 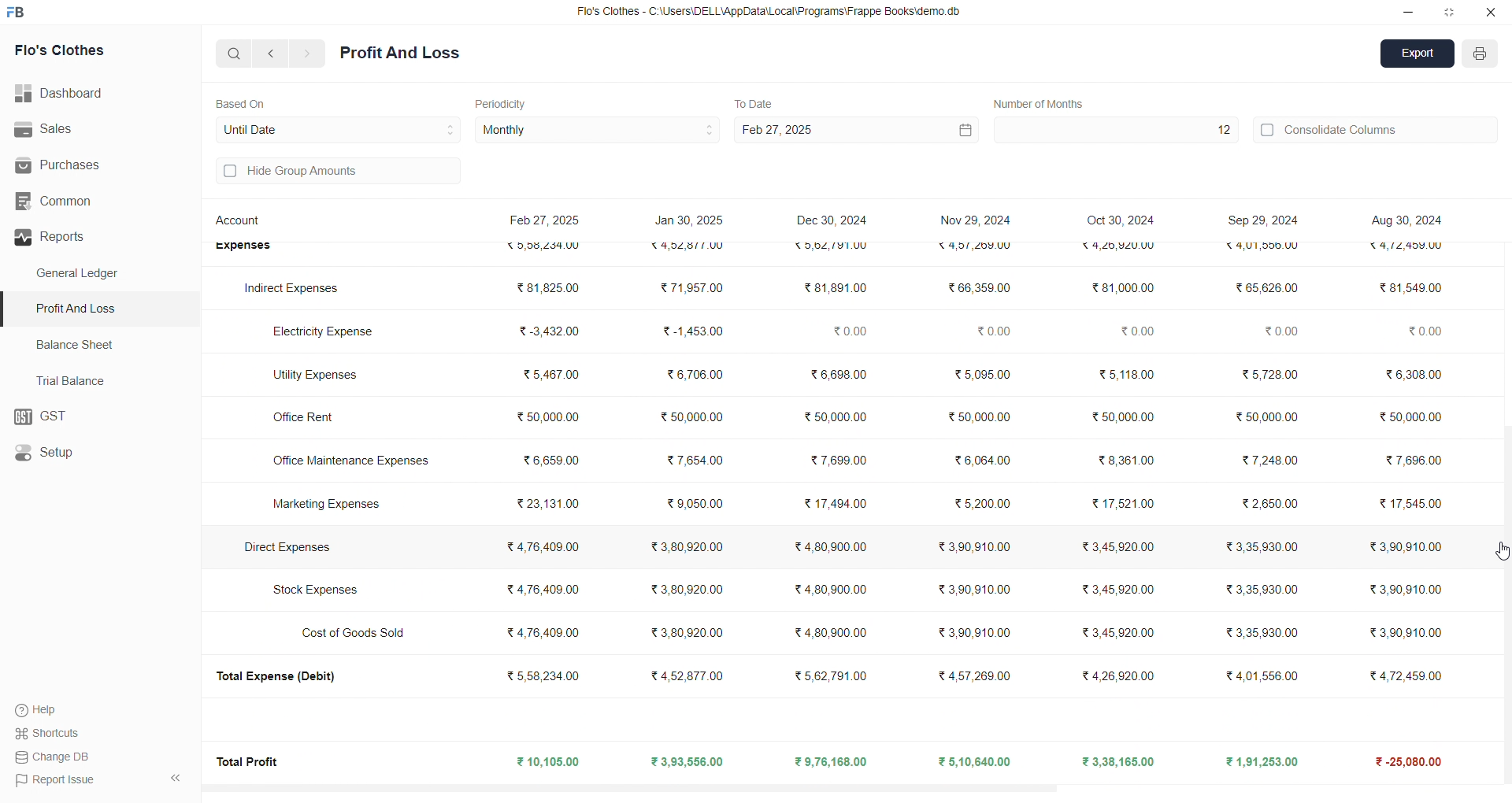 What do you see at coordinates (542, 675) in the screenshot?
I see `₹5,58,234.00` at bounding box center [542, 675].